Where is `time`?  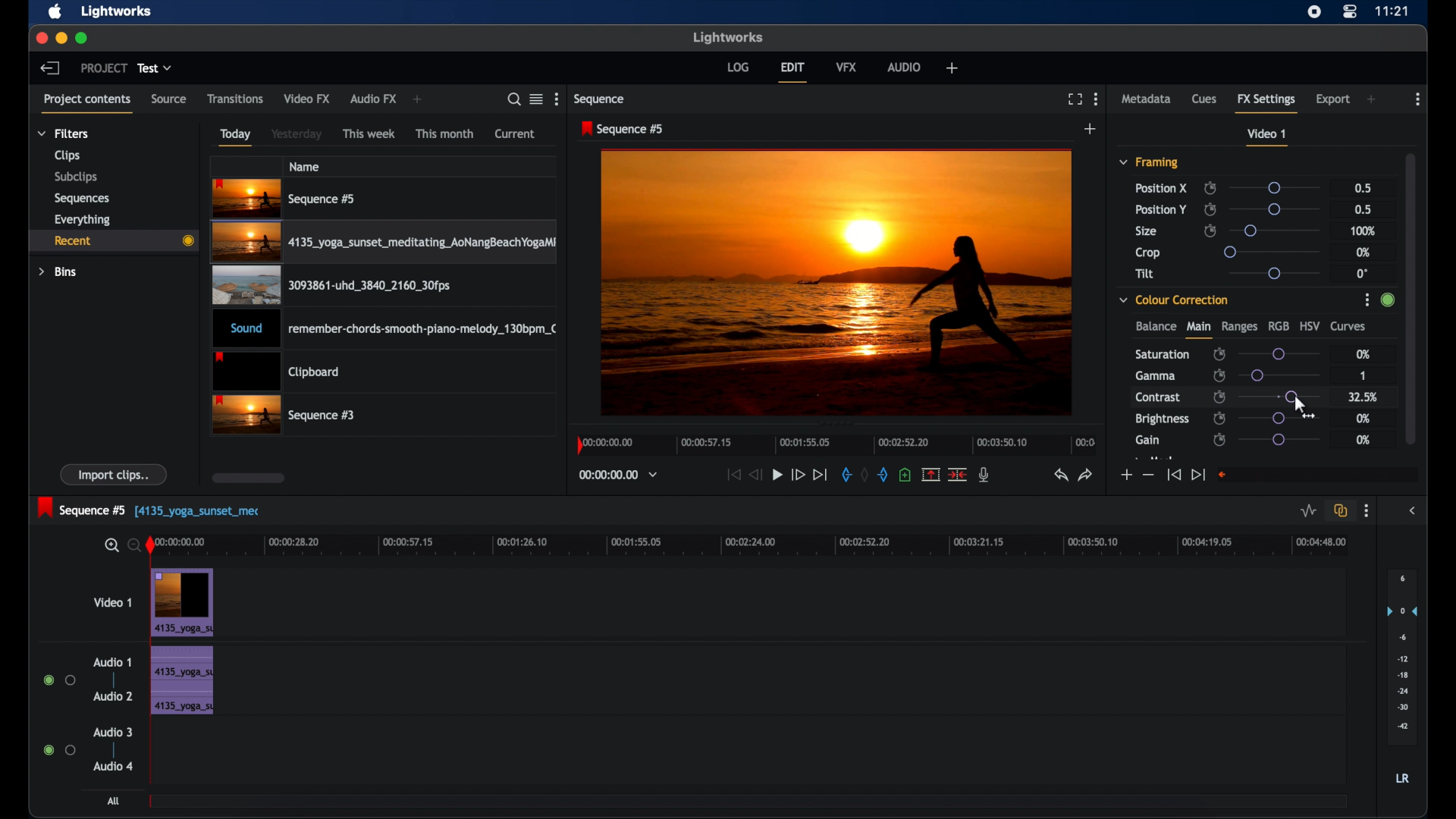 time is located at coordinates (1392, 11).